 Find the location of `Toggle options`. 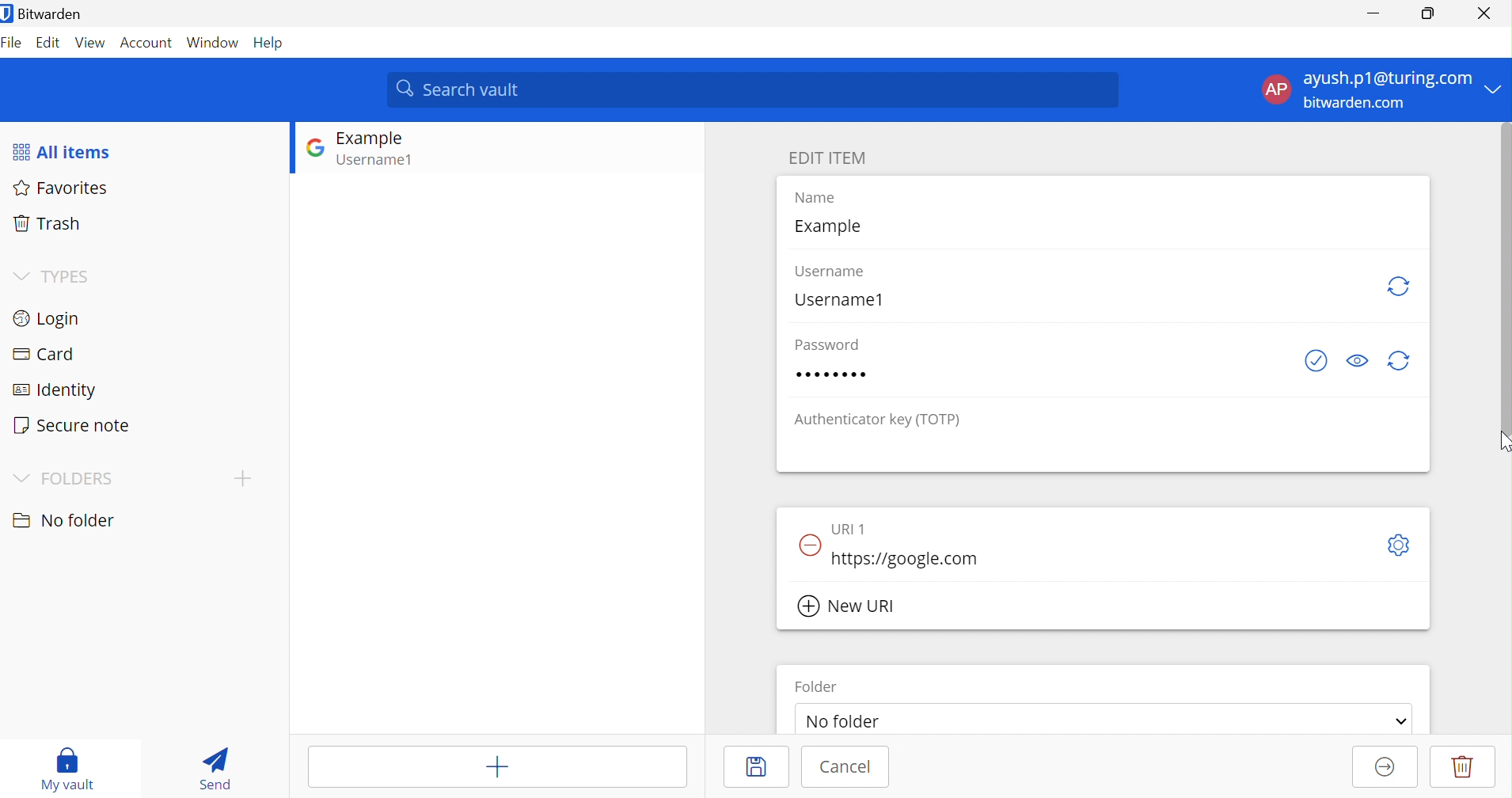

Toggle options is located at coordinates (1400, 543).